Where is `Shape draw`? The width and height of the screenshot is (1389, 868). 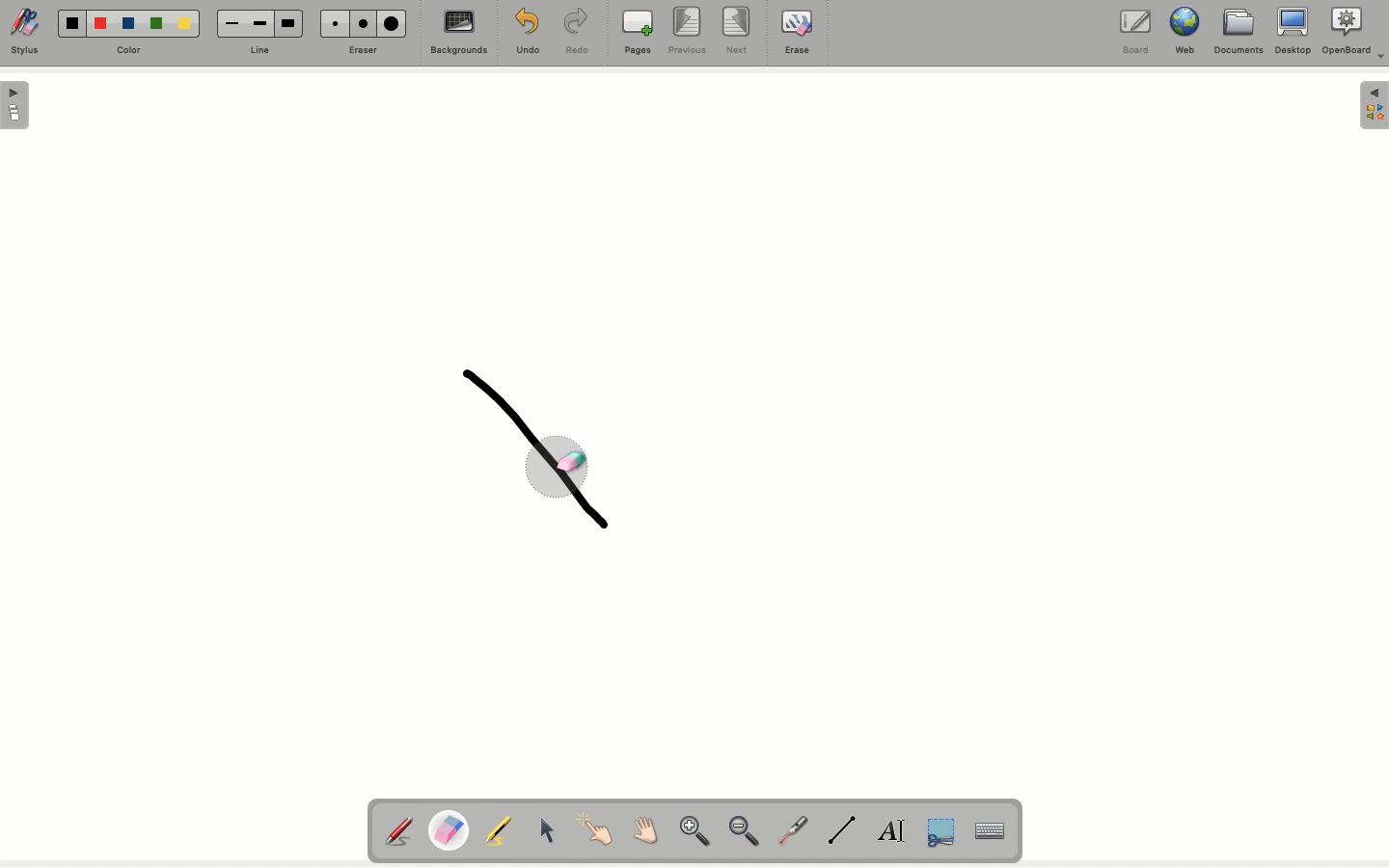
Shape draw is located at coordinates (543, 458).